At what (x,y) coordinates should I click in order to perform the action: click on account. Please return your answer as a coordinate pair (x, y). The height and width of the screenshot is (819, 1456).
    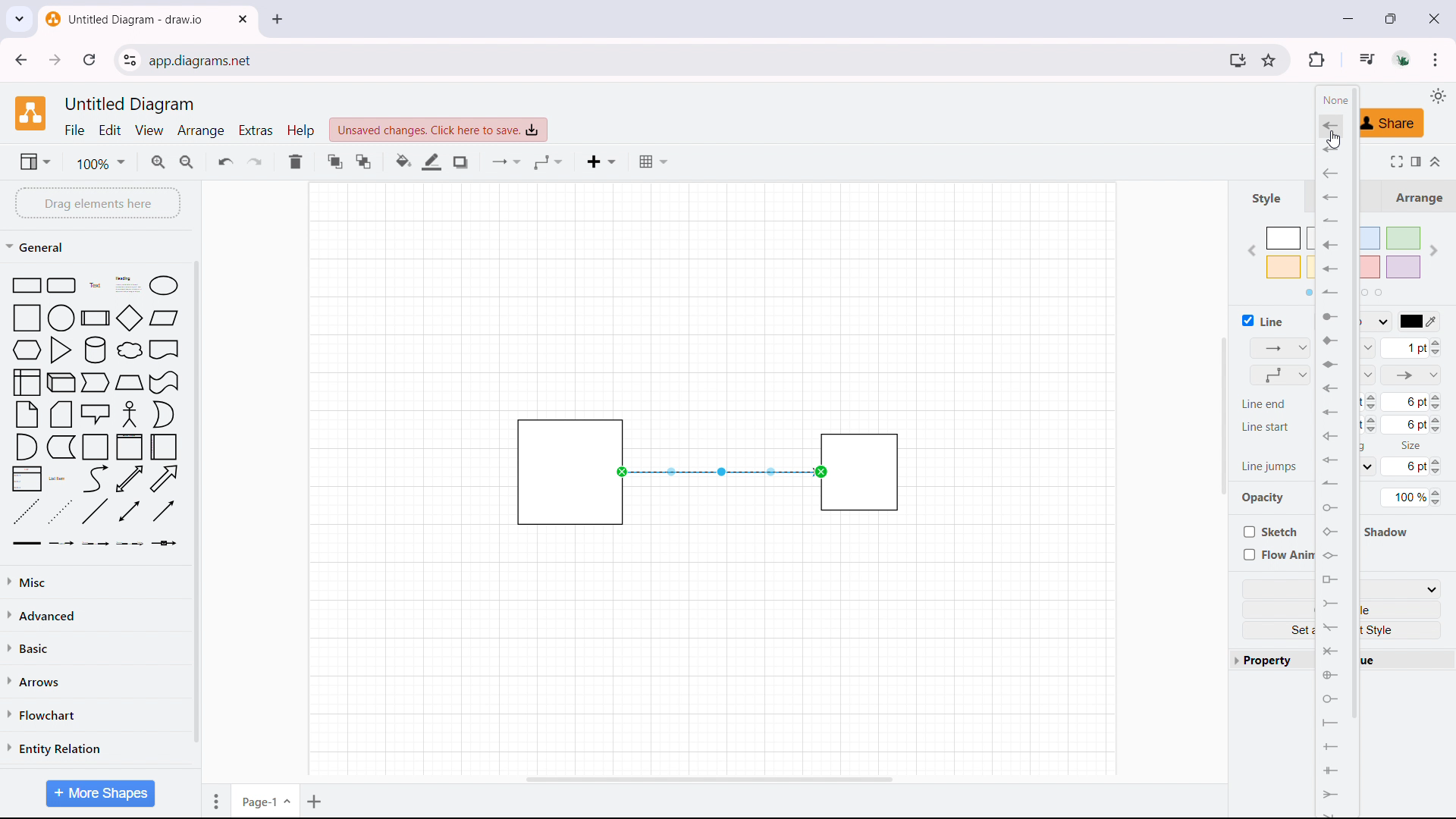
    Looking at the image, I should click on (1404, 59).